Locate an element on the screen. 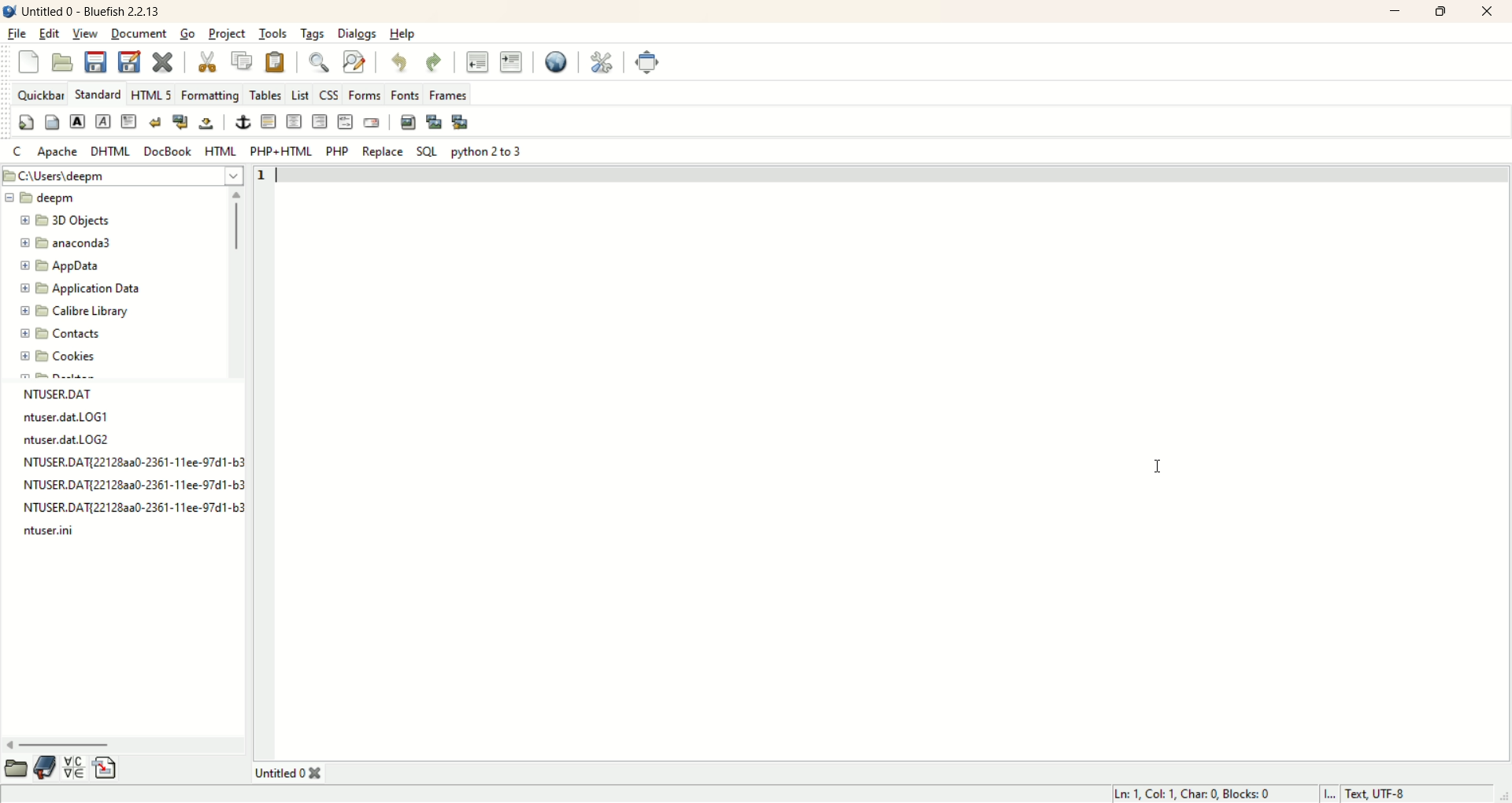 This screenshot has width=1512, height=803. close is located at coordinates (1488, 12).